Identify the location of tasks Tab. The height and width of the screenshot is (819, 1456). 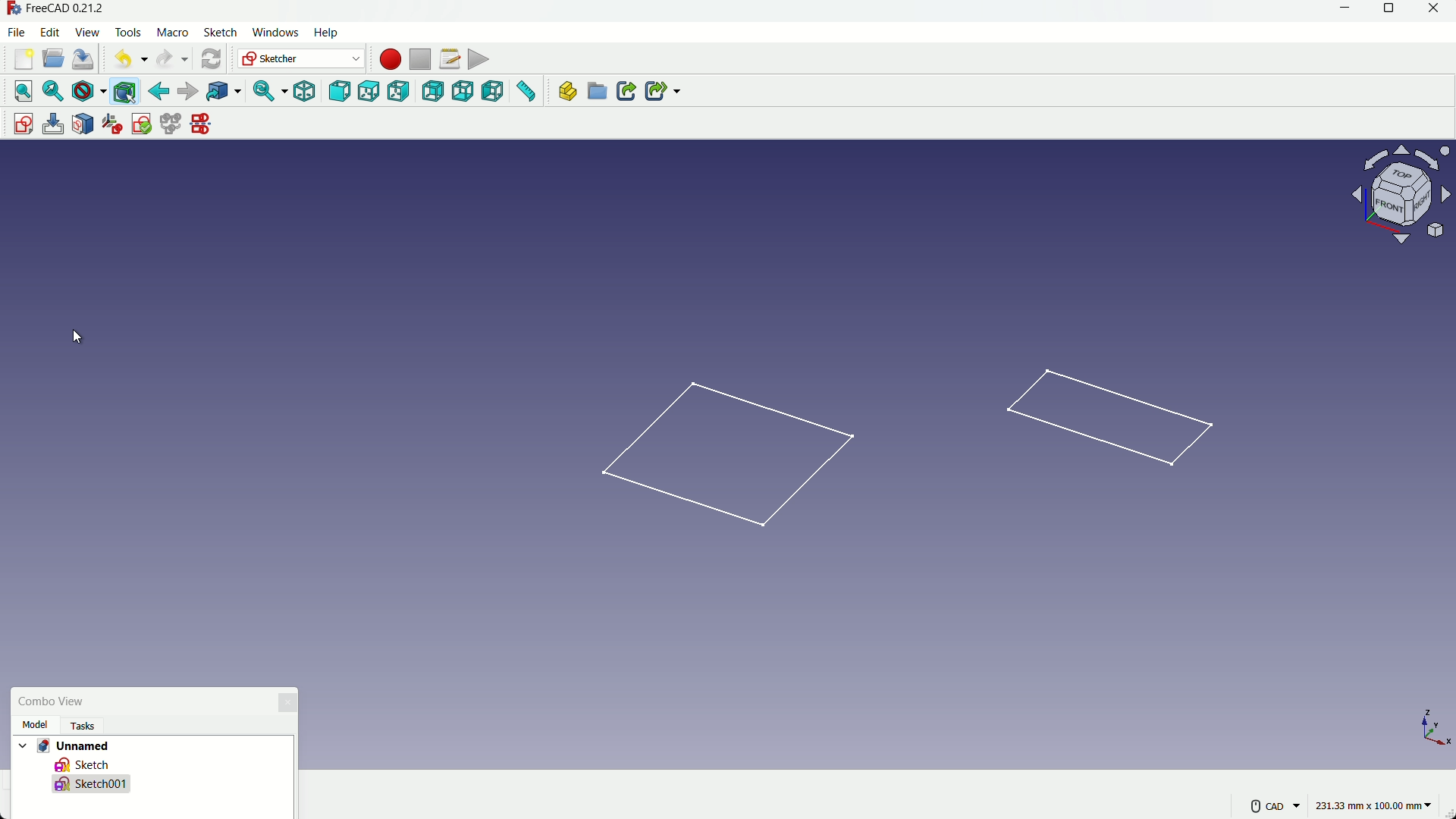
(93, 725).